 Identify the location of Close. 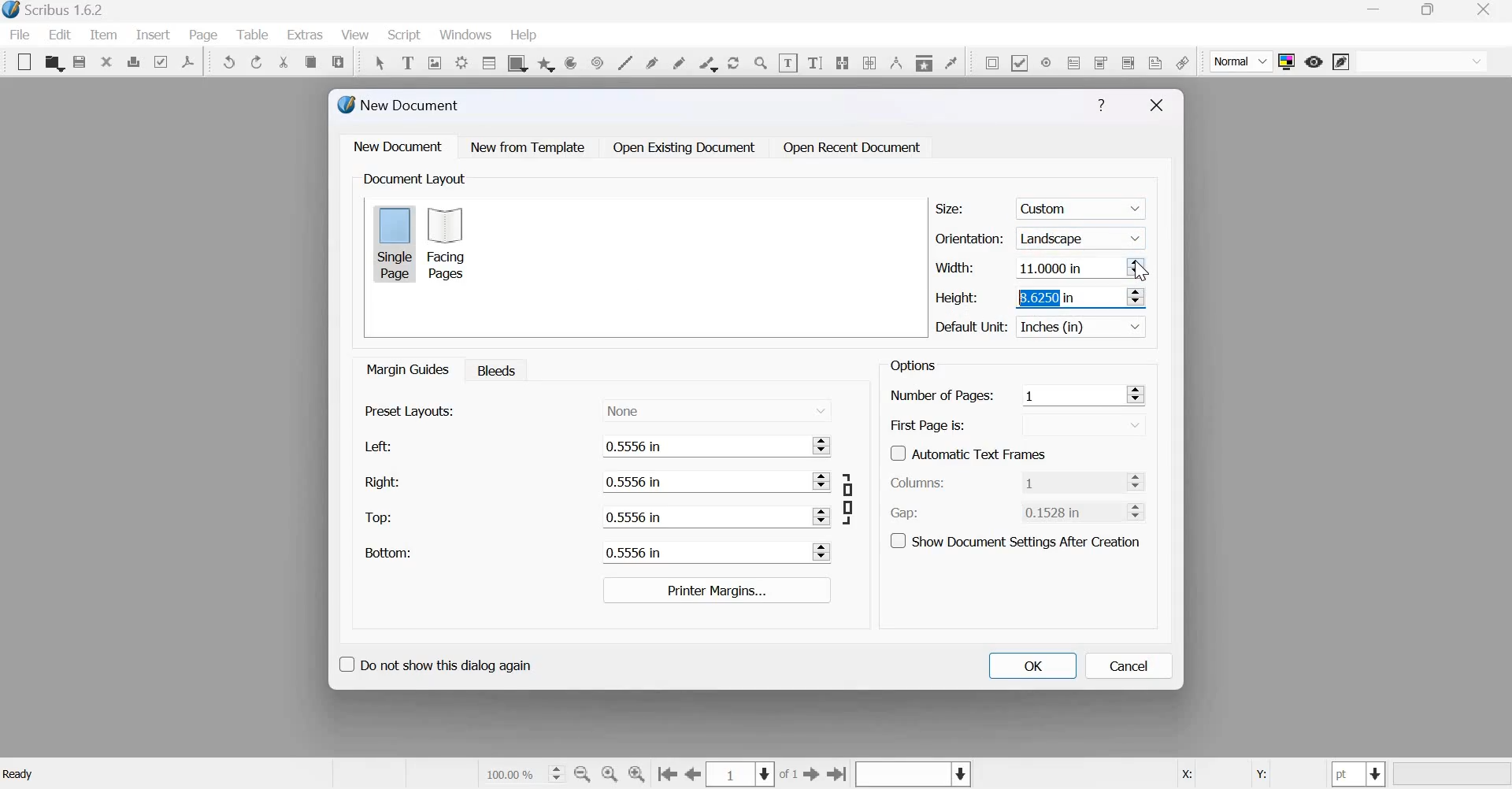
(1157, 106).